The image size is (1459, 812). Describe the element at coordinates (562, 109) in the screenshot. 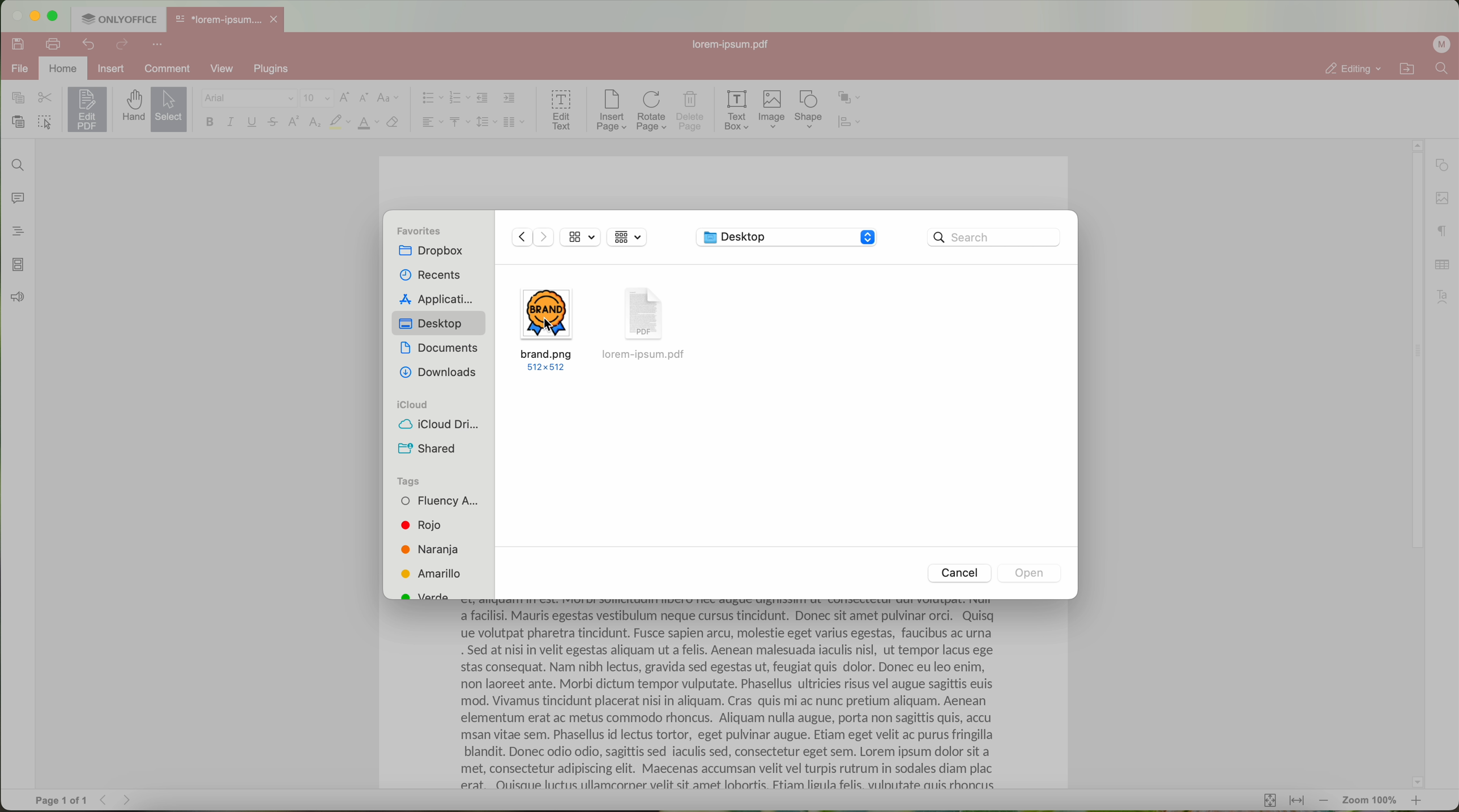

I see `edit text` at that location.